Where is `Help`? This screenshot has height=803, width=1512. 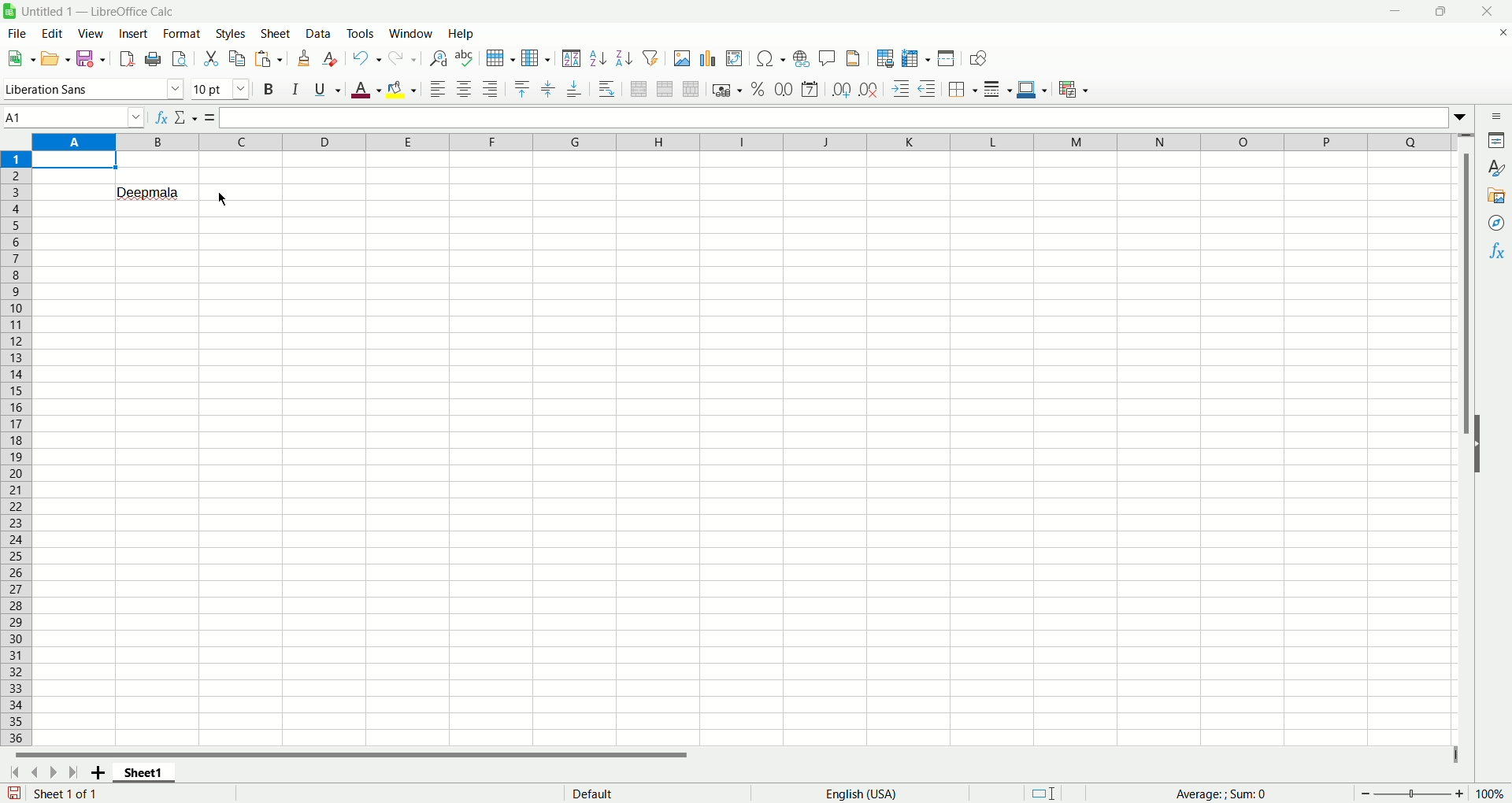 Help is located at coordinates (464, 33).